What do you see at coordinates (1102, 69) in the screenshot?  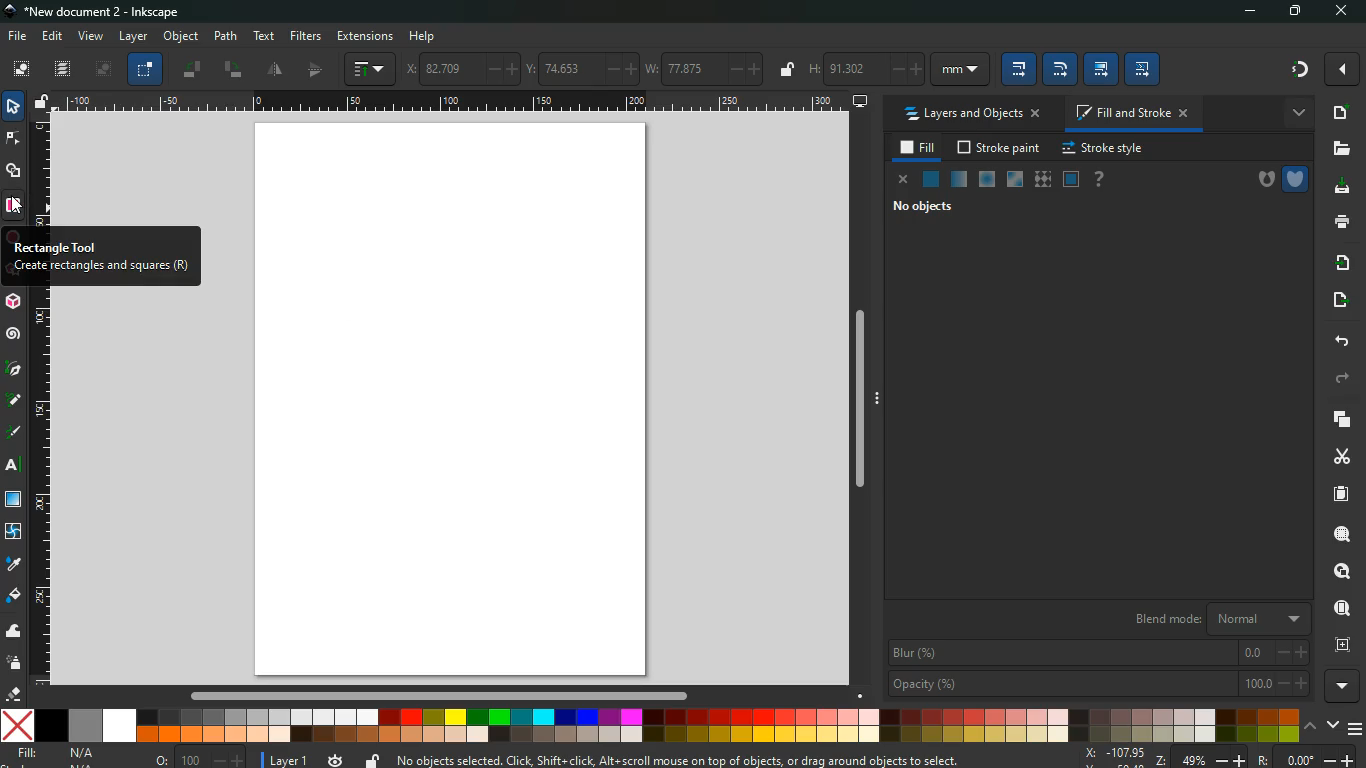 I see `edit` at bounding box center [1102, 69].